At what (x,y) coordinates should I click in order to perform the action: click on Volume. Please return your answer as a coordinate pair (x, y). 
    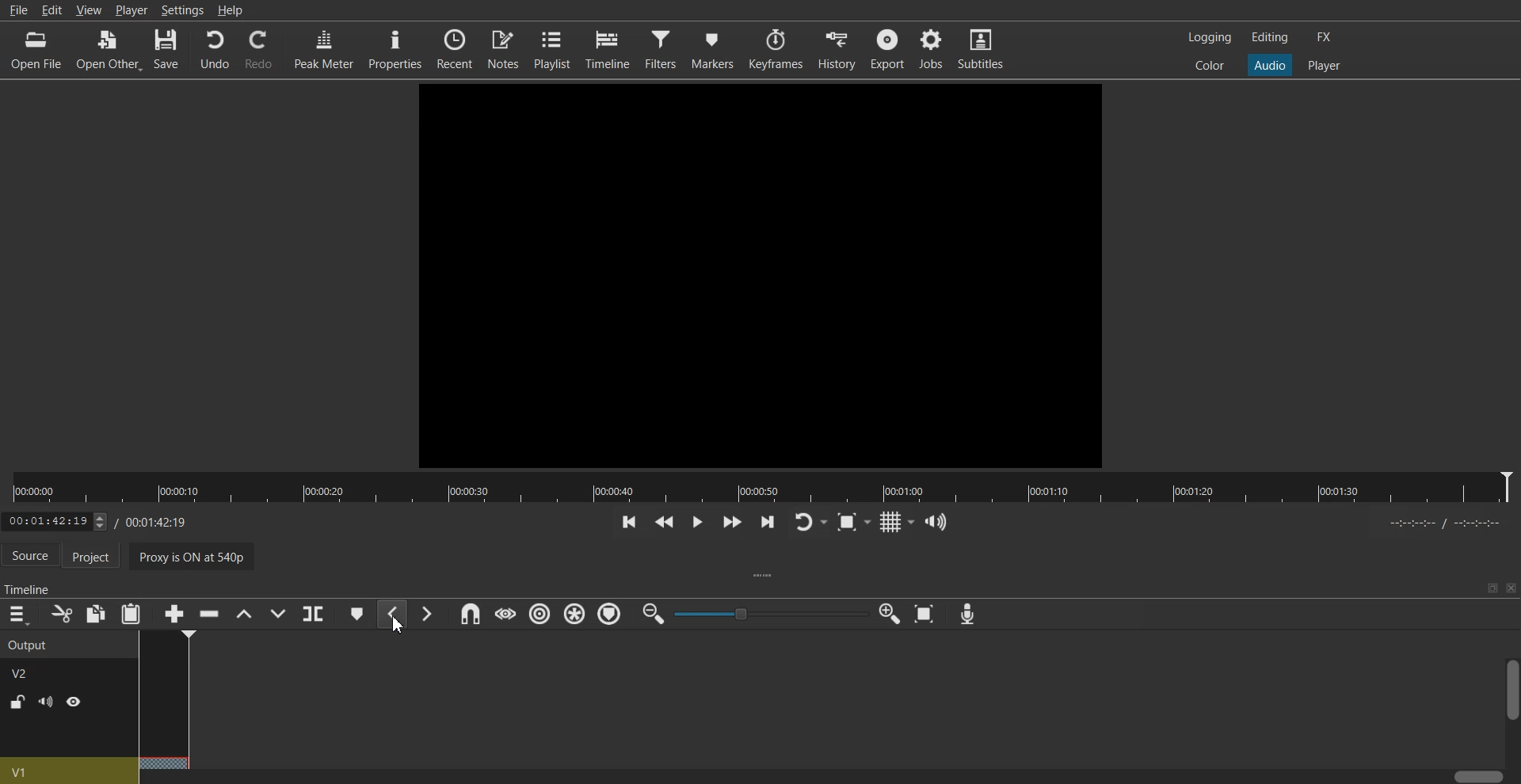
    Looking at the image, I should click on (45, 702).